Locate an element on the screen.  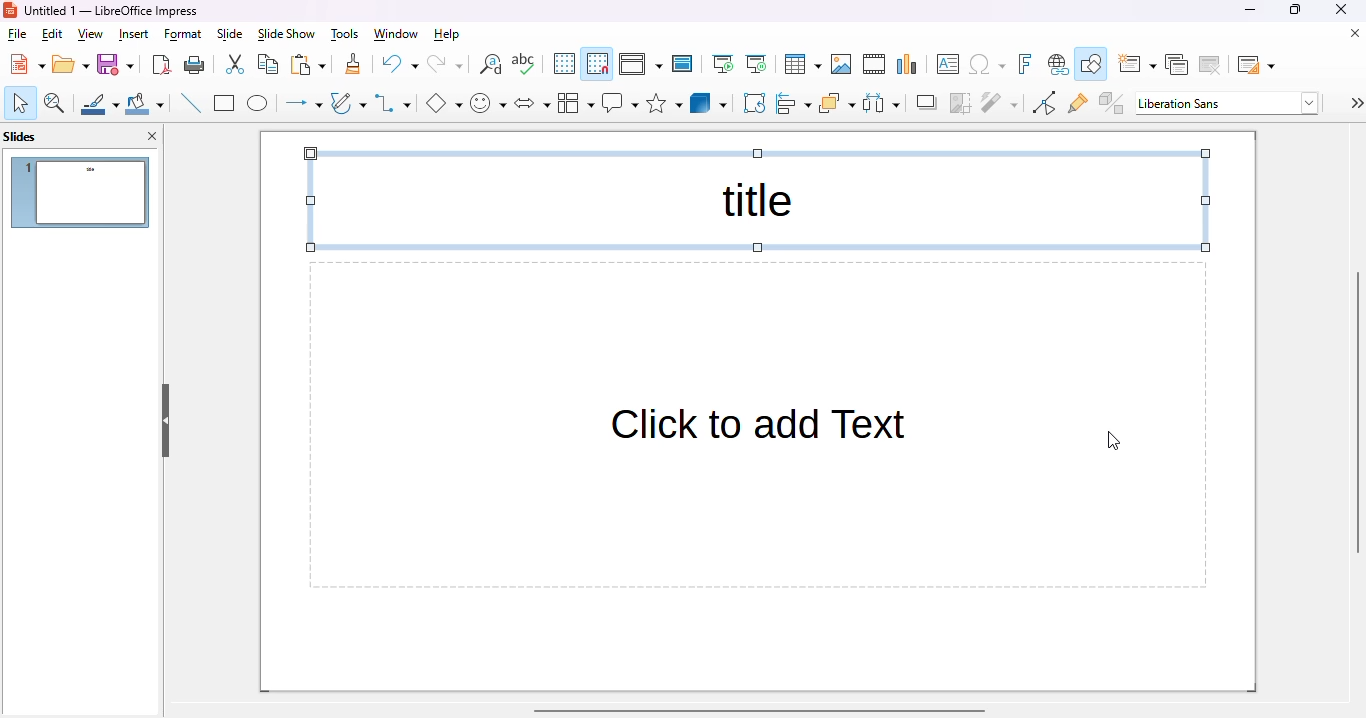
insert is located at coordinates (134, 35).